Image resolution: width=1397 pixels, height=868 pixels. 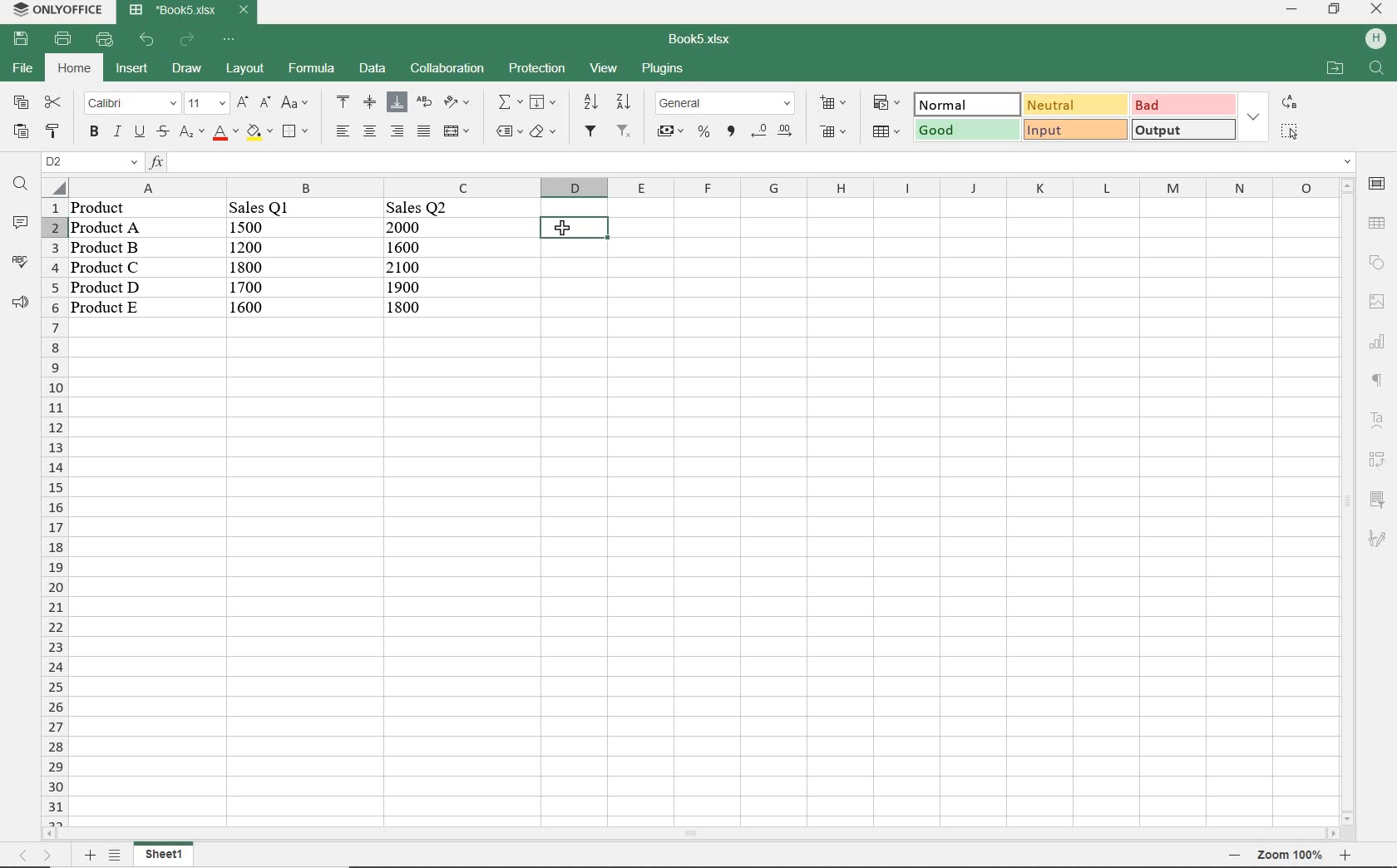 What do you see at coordinates (594, 131) in the screenshot?
I see `filter` at bounding box center [594, 131].